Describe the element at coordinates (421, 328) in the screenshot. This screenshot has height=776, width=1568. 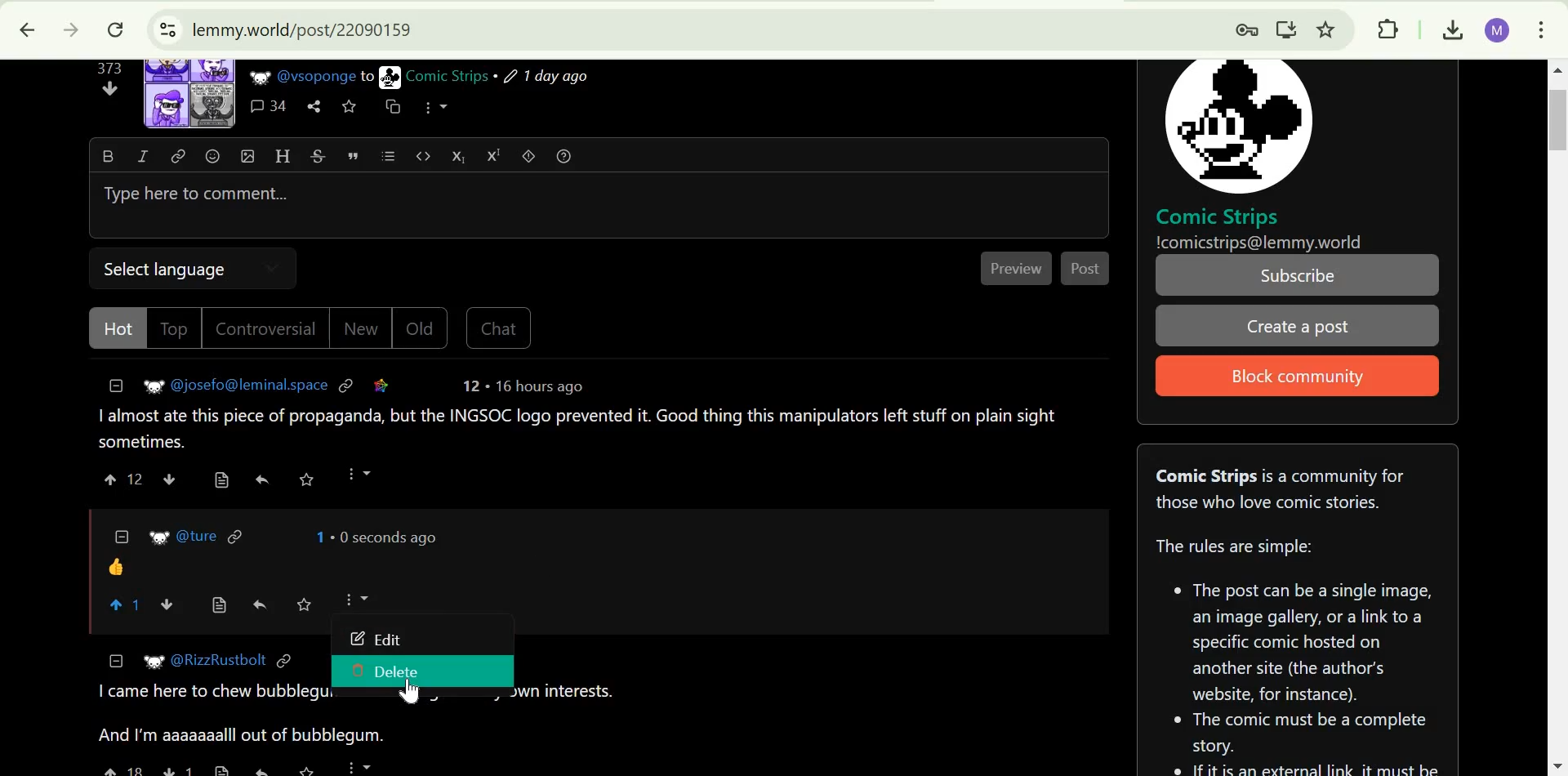
I see `Old` at that location.